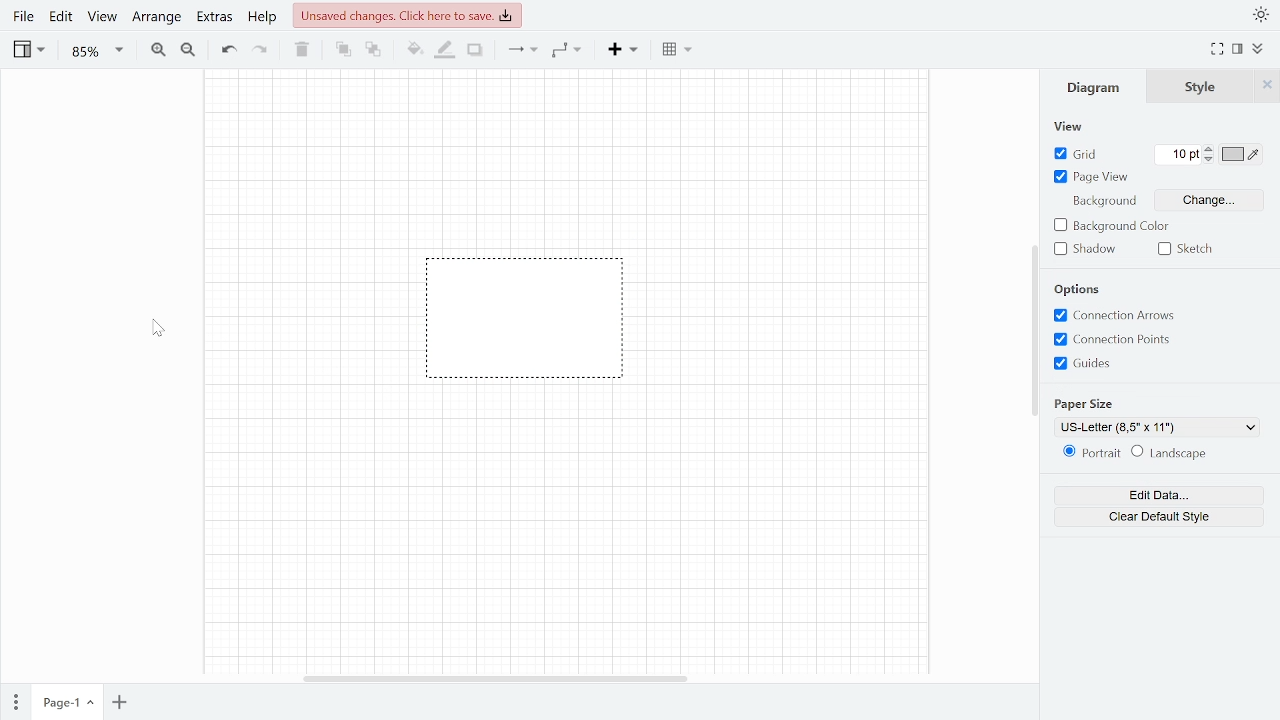 The height and width of the screenshot is (720, 1280). What do you see at coordinates (523, 51) in the screenshot?
I see `Connections` at bounding box center [523, 51].